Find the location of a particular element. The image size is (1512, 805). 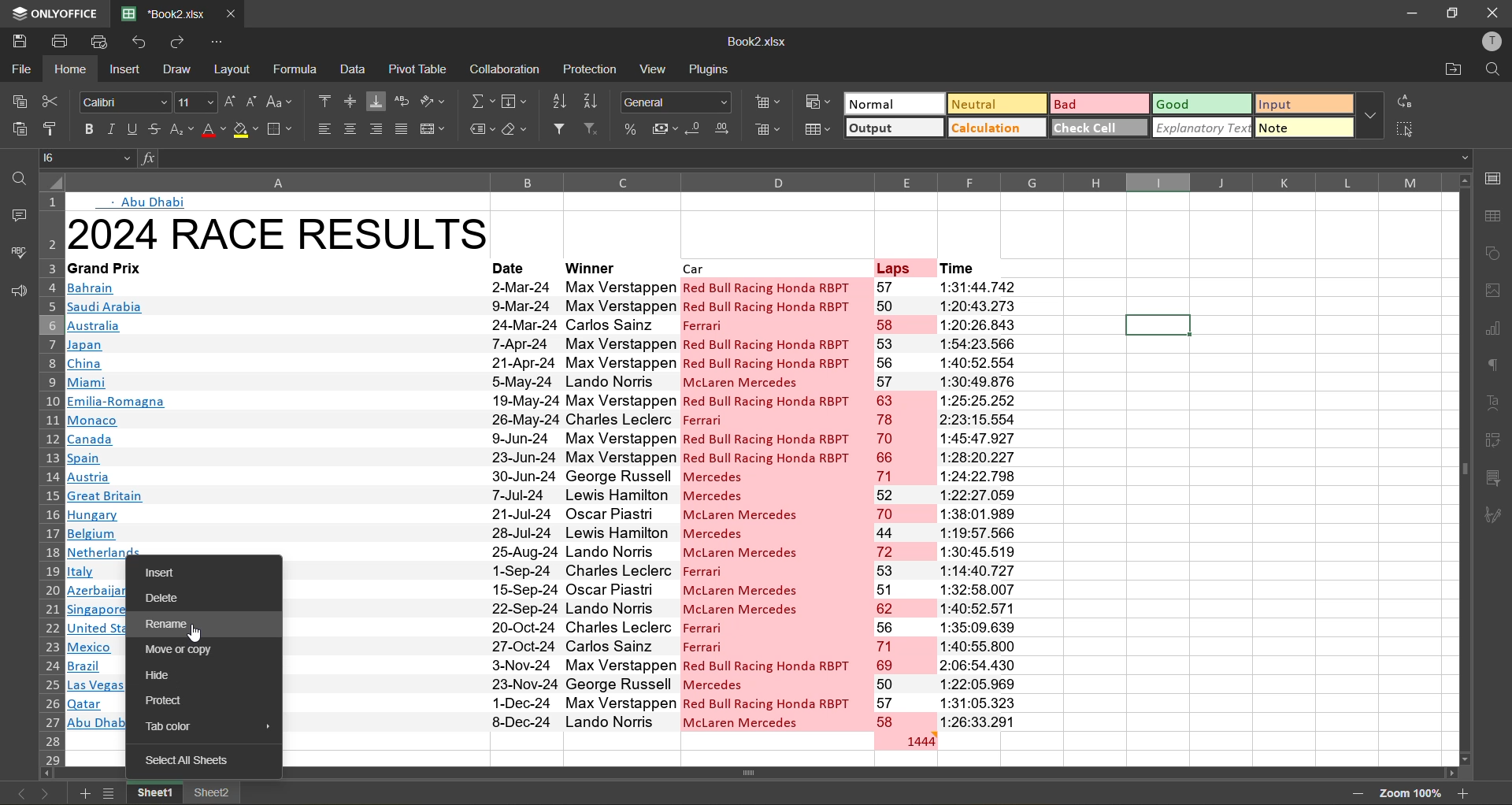

sort descending is located at coordinates (595, 99).